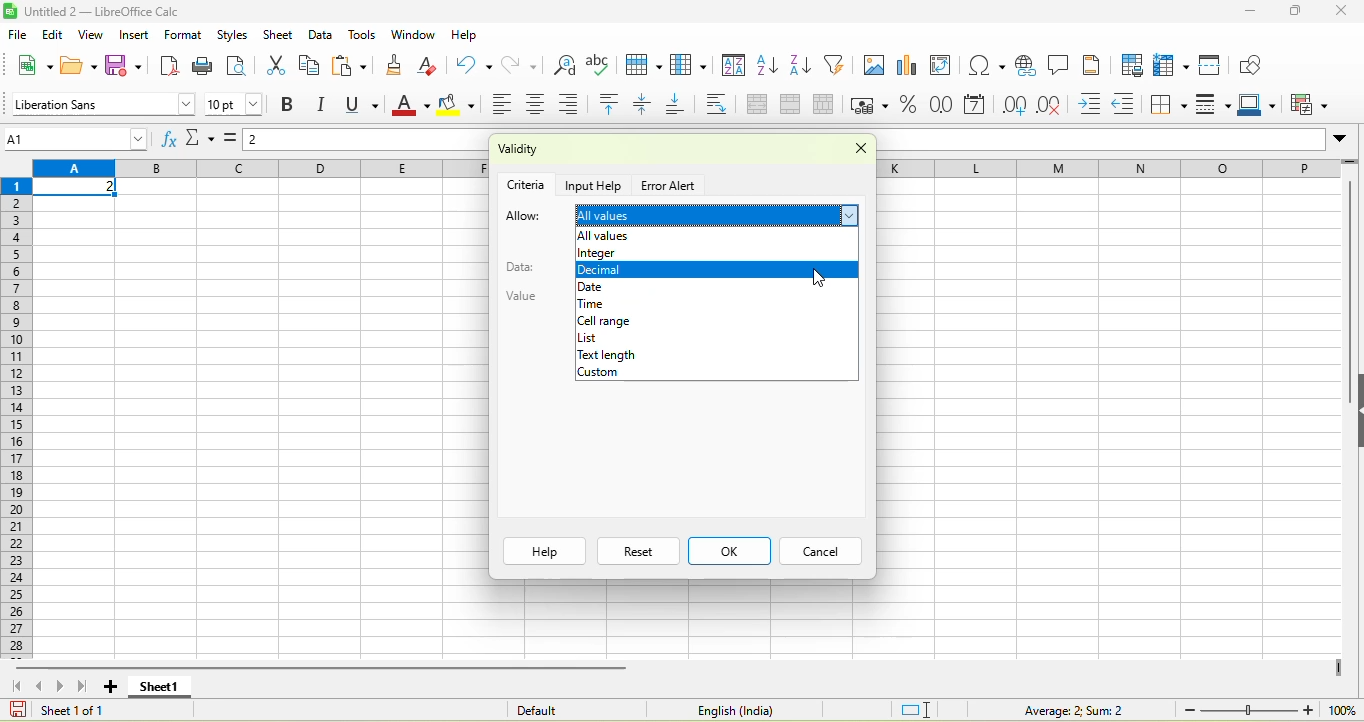 Image resolution: width=1364 pixels, height=722 pixels. Describe the element at coordinates (917, 708) in the screenshot. I see `standard selection` at that location.